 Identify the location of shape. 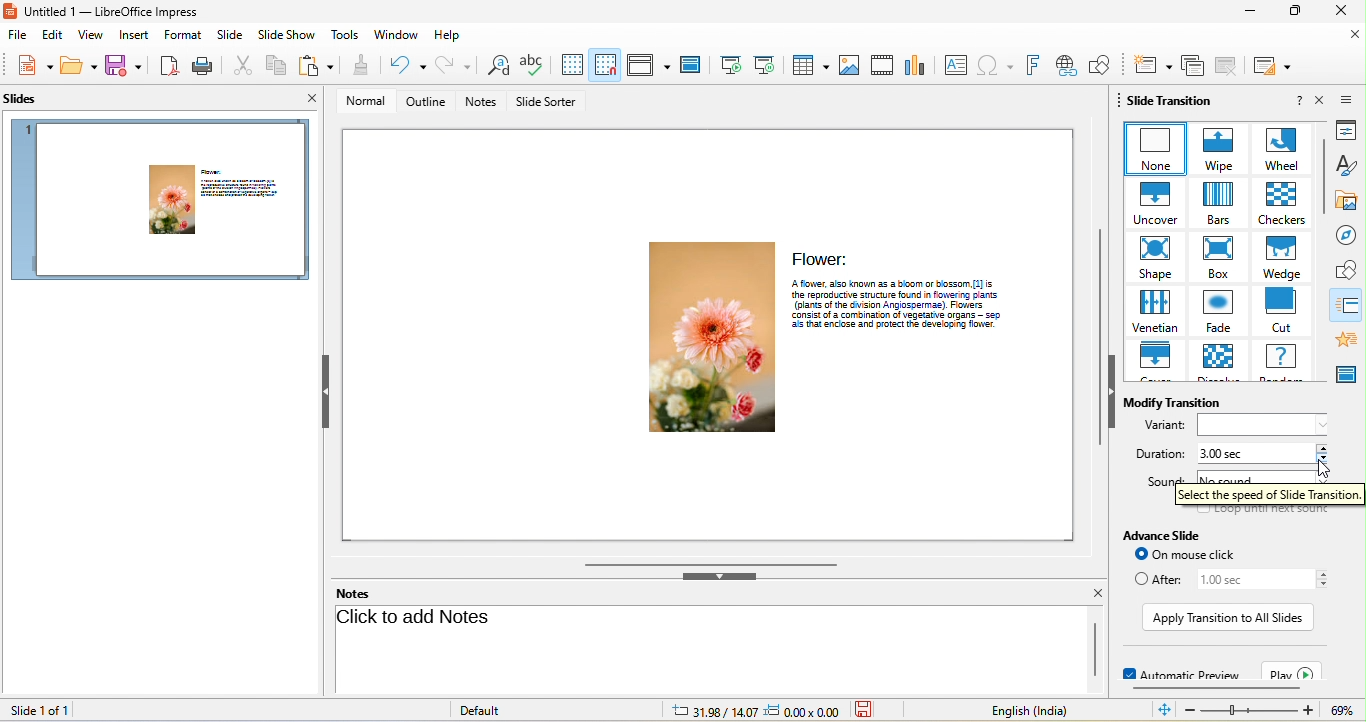
(1153, 259).